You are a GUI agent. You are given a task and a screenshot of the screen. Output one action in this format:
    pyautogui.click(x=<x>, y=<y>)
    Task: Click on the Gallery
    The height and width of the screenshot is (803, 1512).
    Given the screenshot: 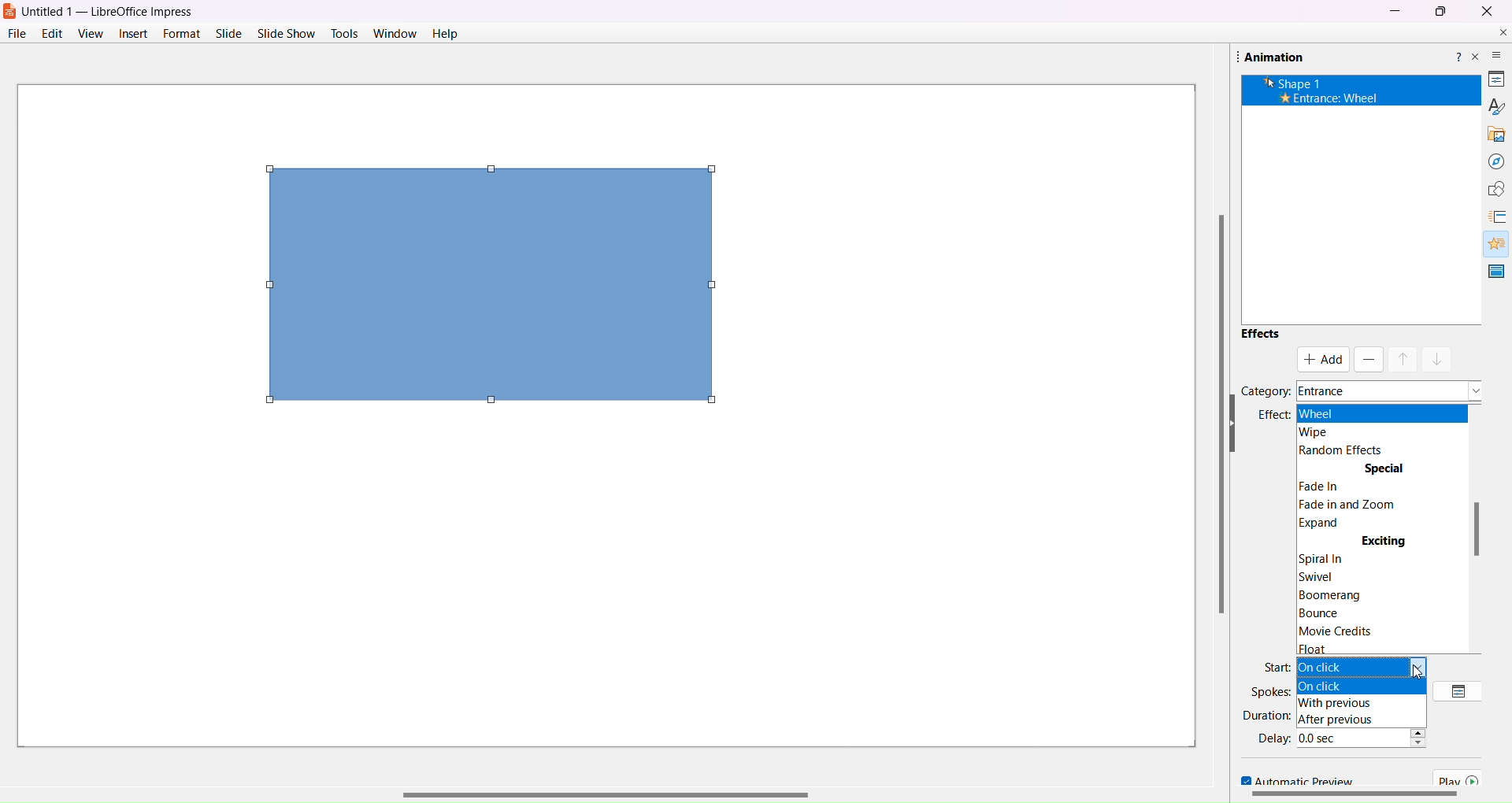 What is the action you would take?
    pyautogui.click(x=1491, y=131)
    